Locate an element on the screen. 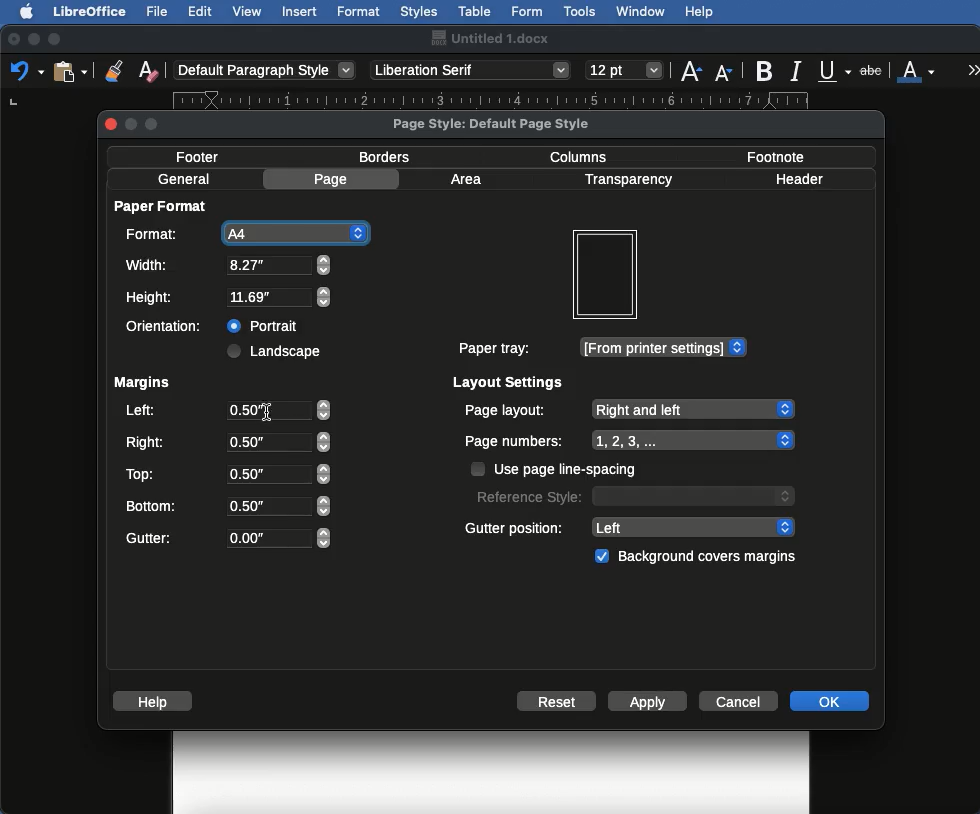 The height and width of the screenshot is (814, 980). Styles is located at coordinates (418, 11).